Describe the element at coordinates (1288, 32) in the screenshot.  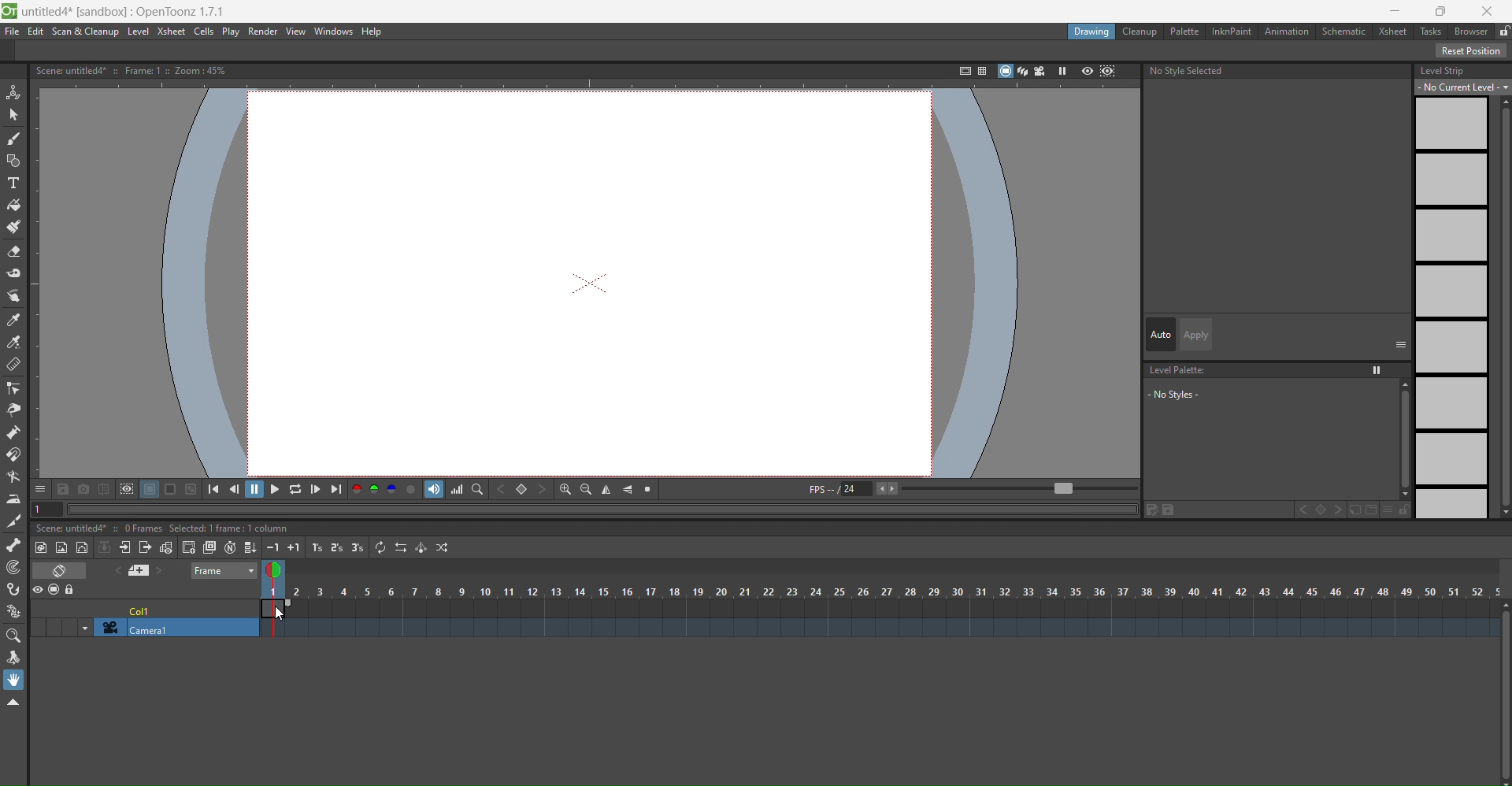
I see `animation` at that location.